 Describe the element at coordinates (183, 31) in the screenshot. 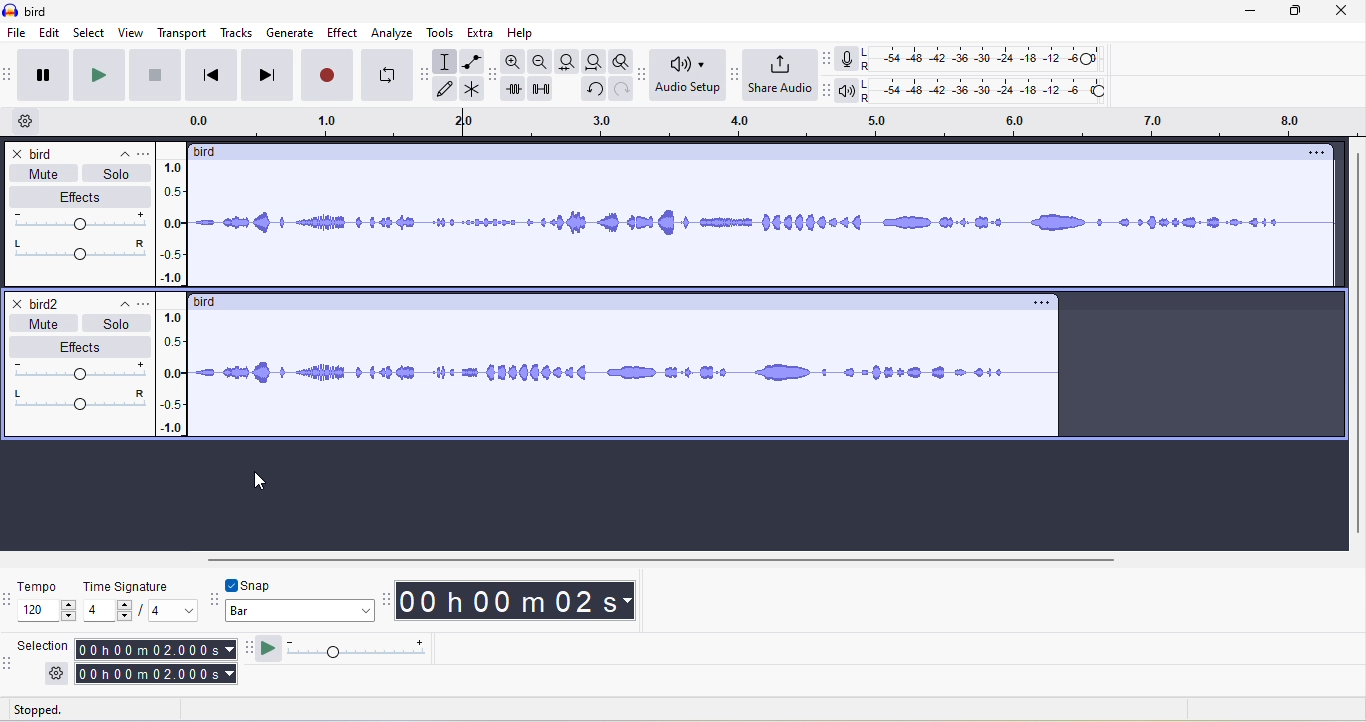

I see `transport` at that location.